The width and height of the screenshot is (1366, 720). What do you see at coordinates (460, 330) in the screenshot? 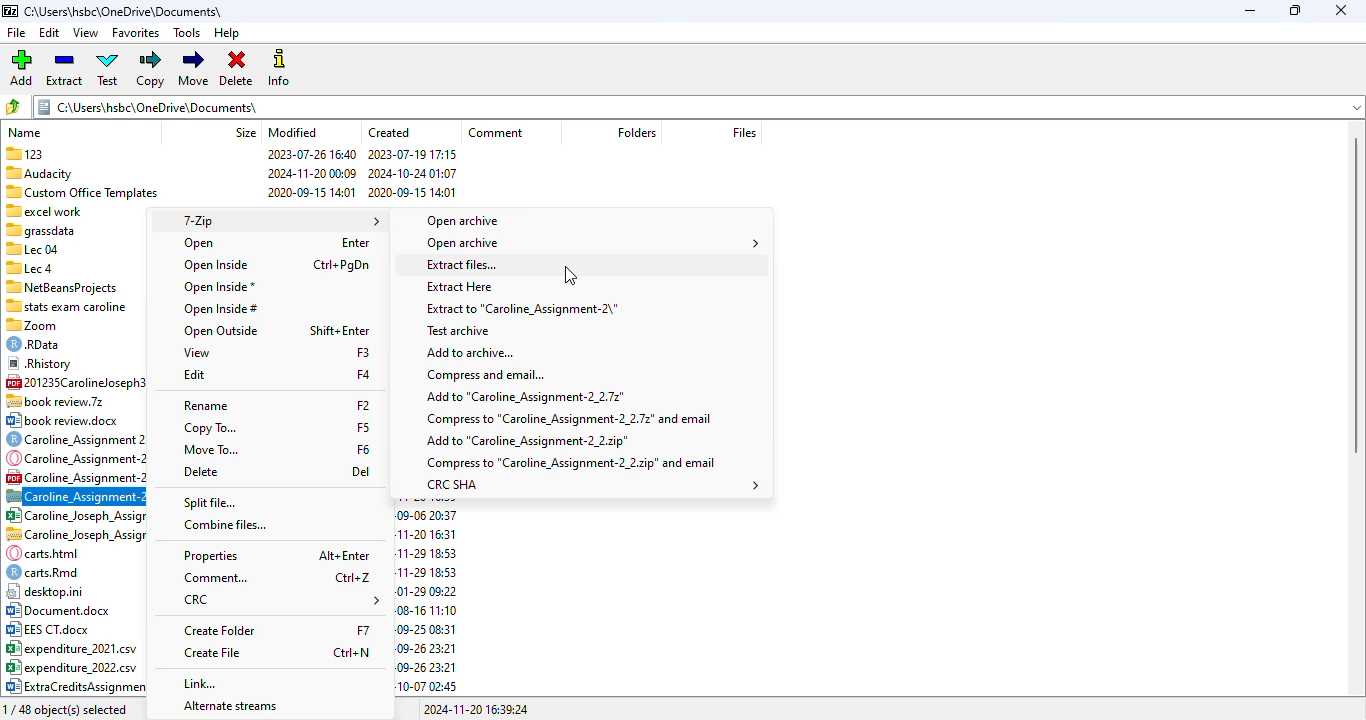
I see `test archive` at bounding box center [460, 330].